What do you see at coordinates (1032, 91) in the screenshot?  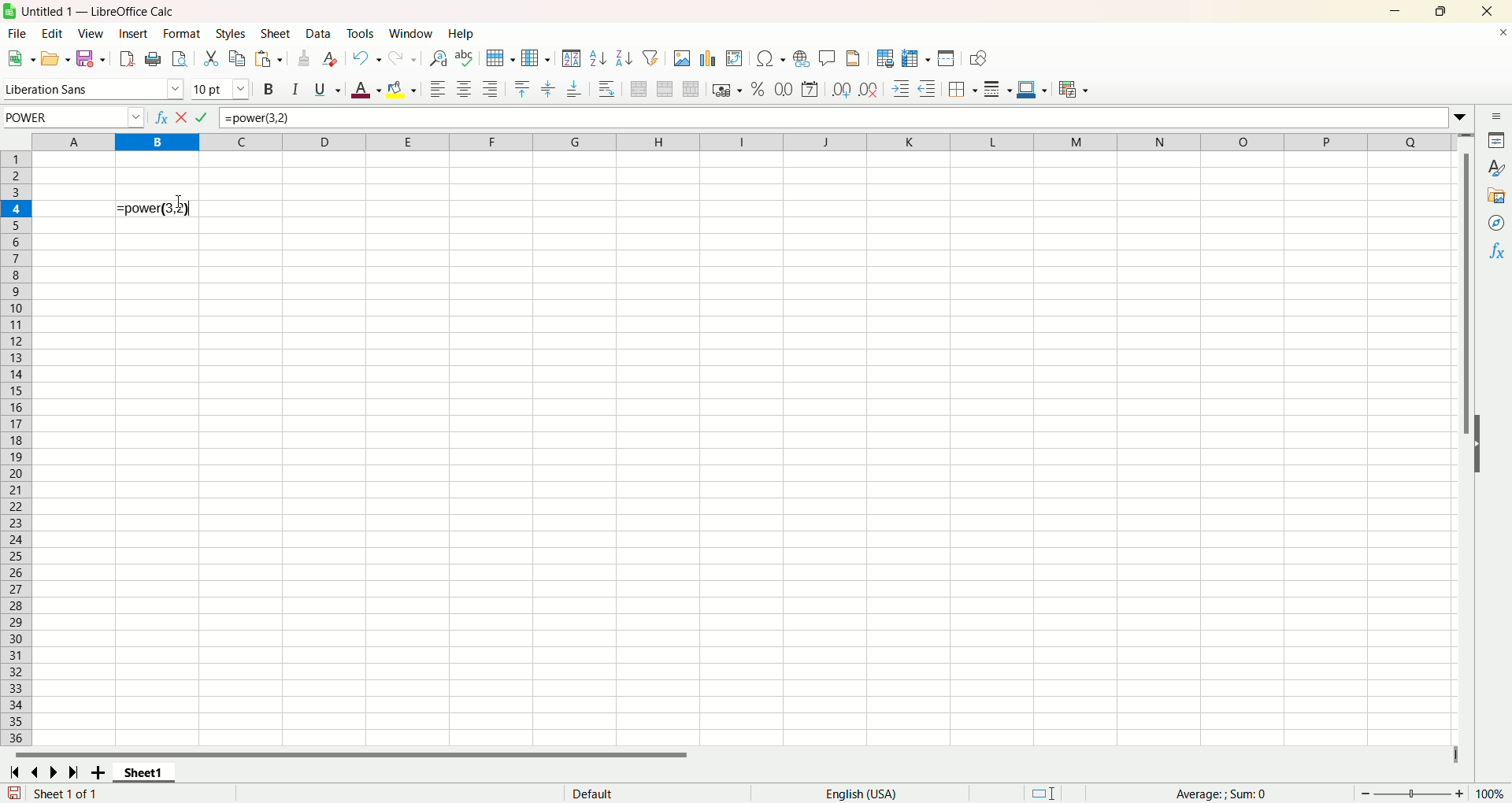 I see `border color` at bounding box center [1032, 91].